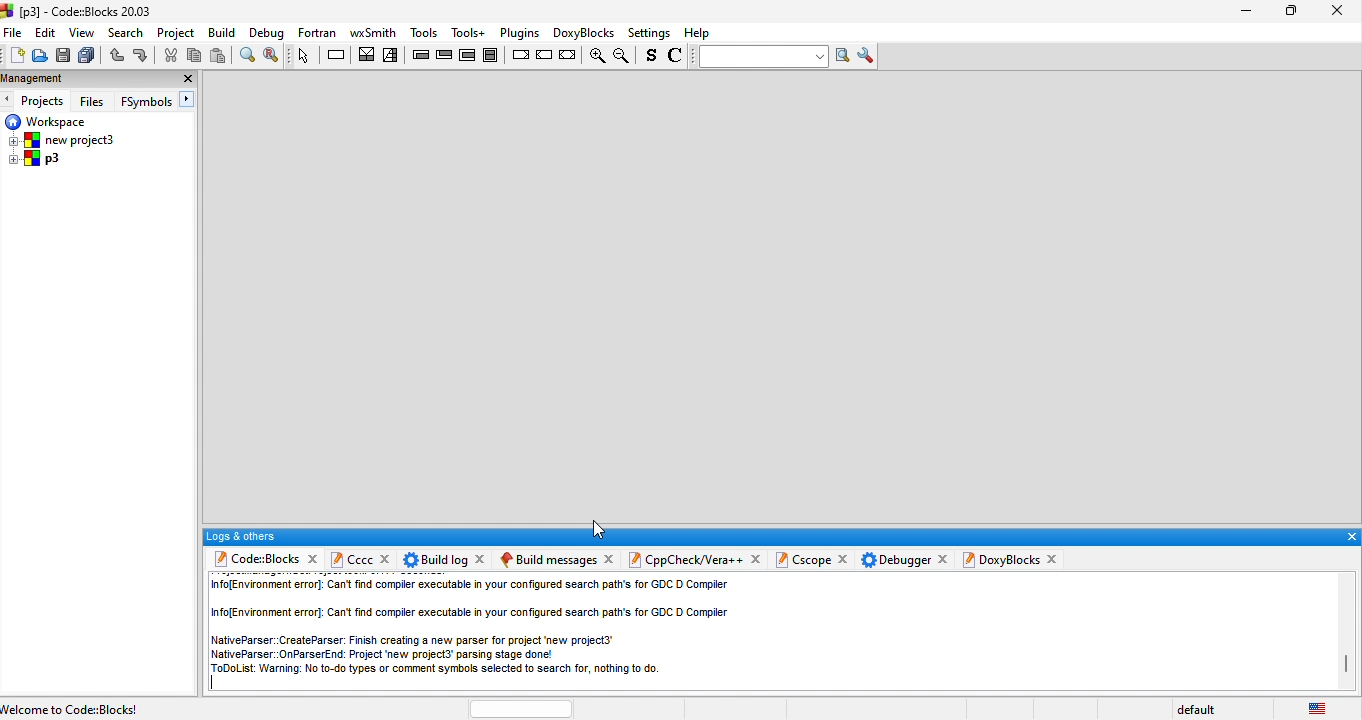 This screenshot has height=720, width=1362. I want to click on build, so click(223, 32).